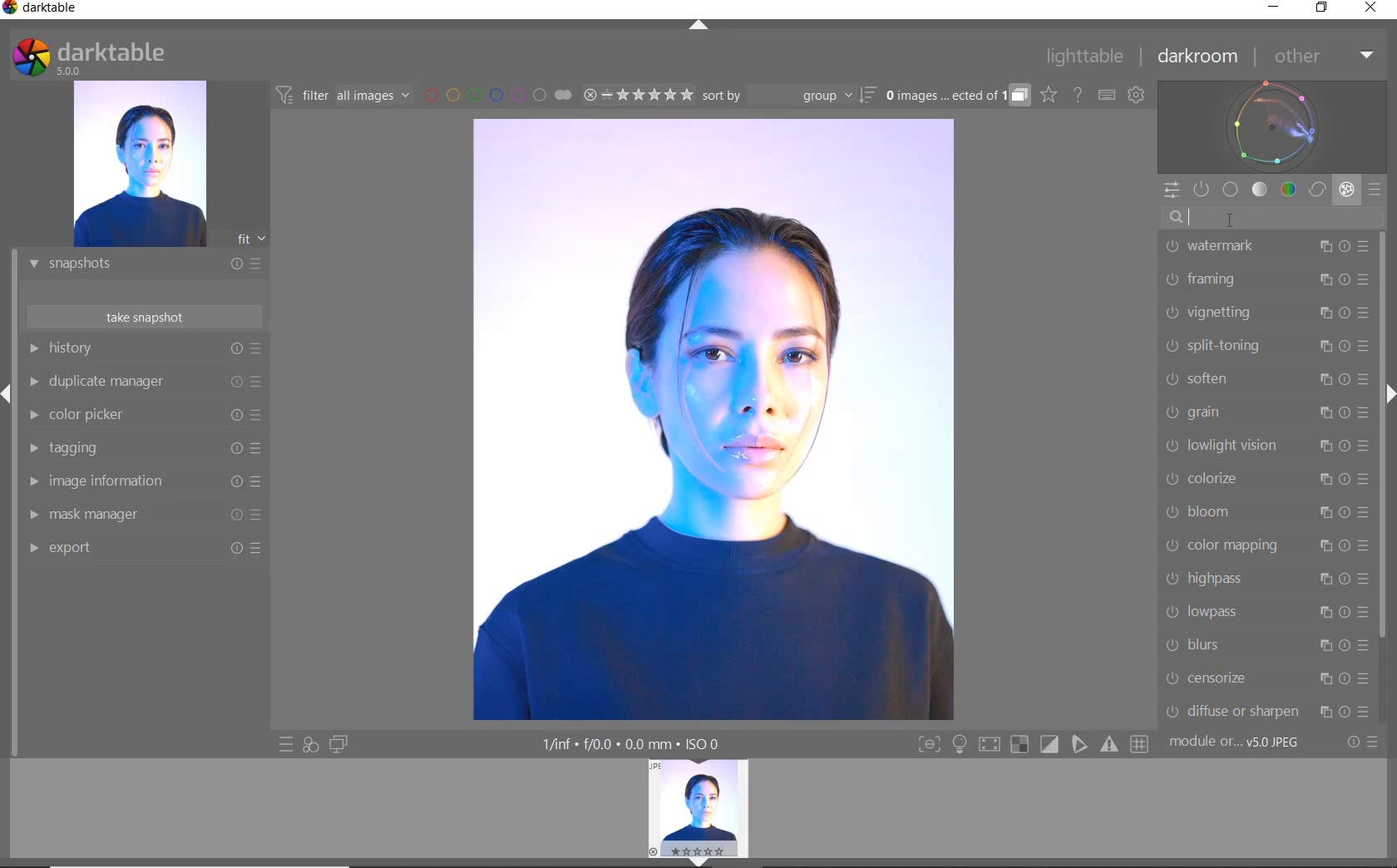 This screenshot has height=868, width=1397. What do you see at coordinates (1266, 580) in the screenshot?
I see `HIGHPASS` at bounding box center [1266, 580].